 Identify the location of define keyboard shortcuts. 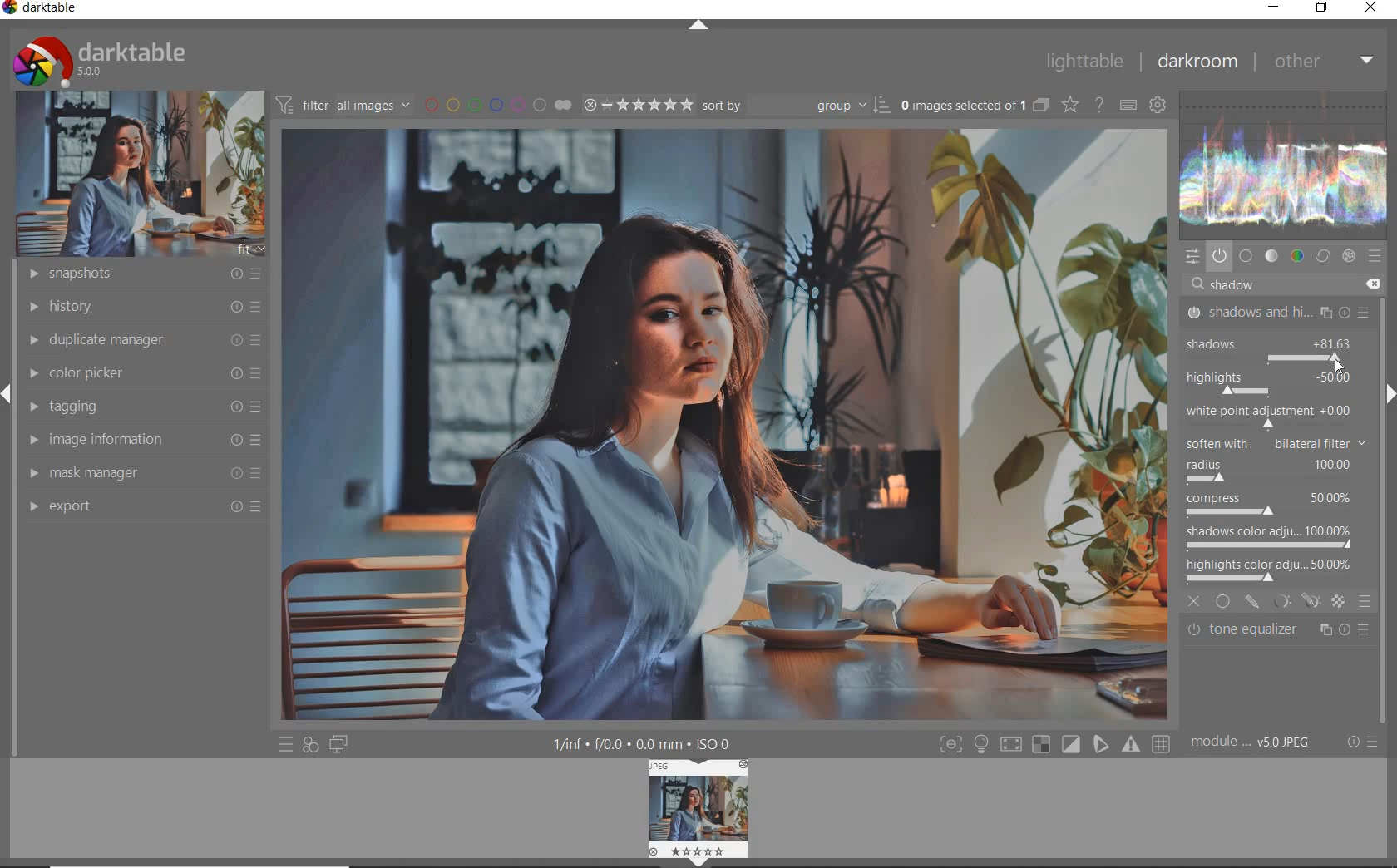
(1128, 106).